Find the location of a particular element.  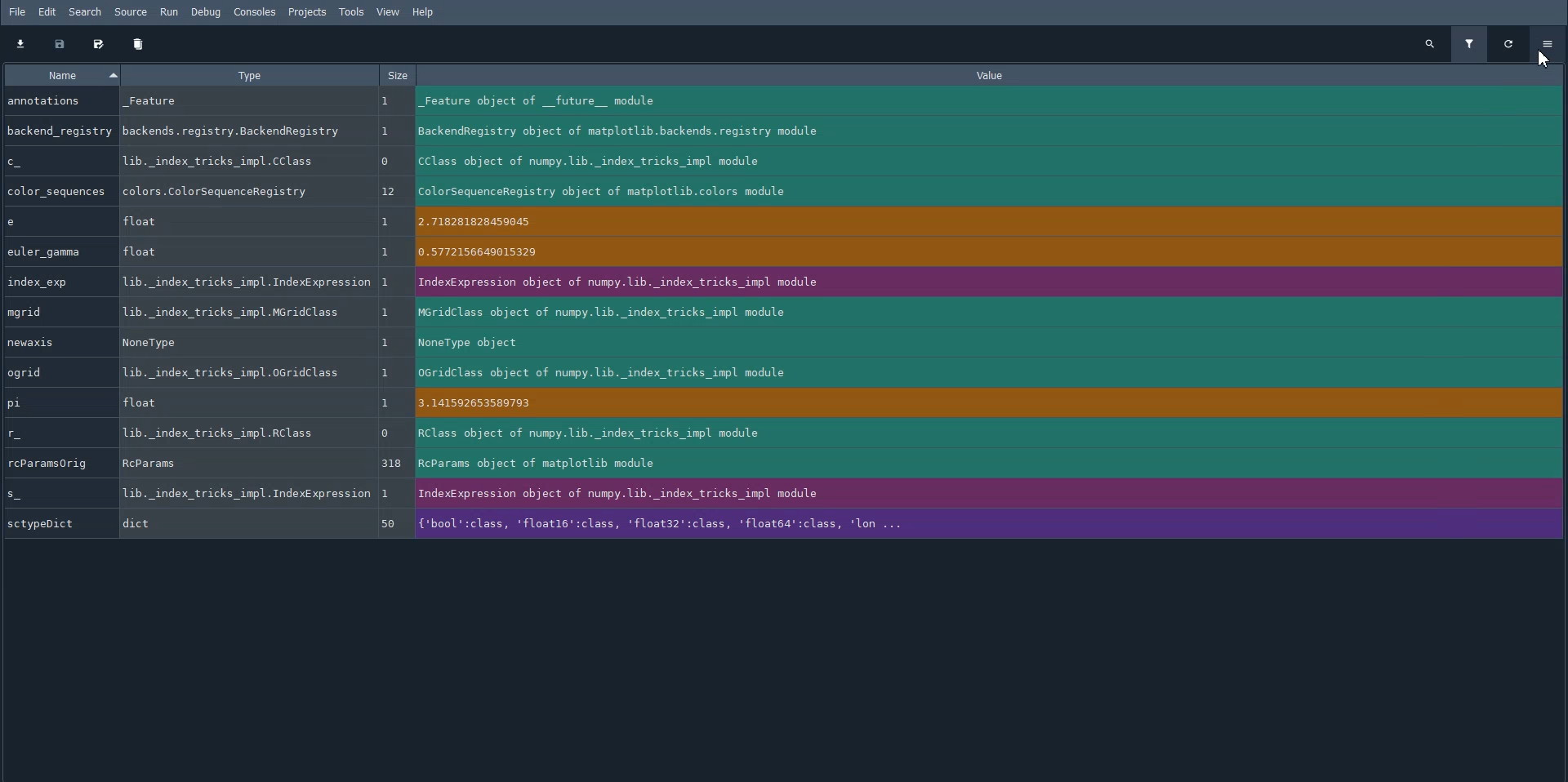

Size is located at coordinates (397, 74).